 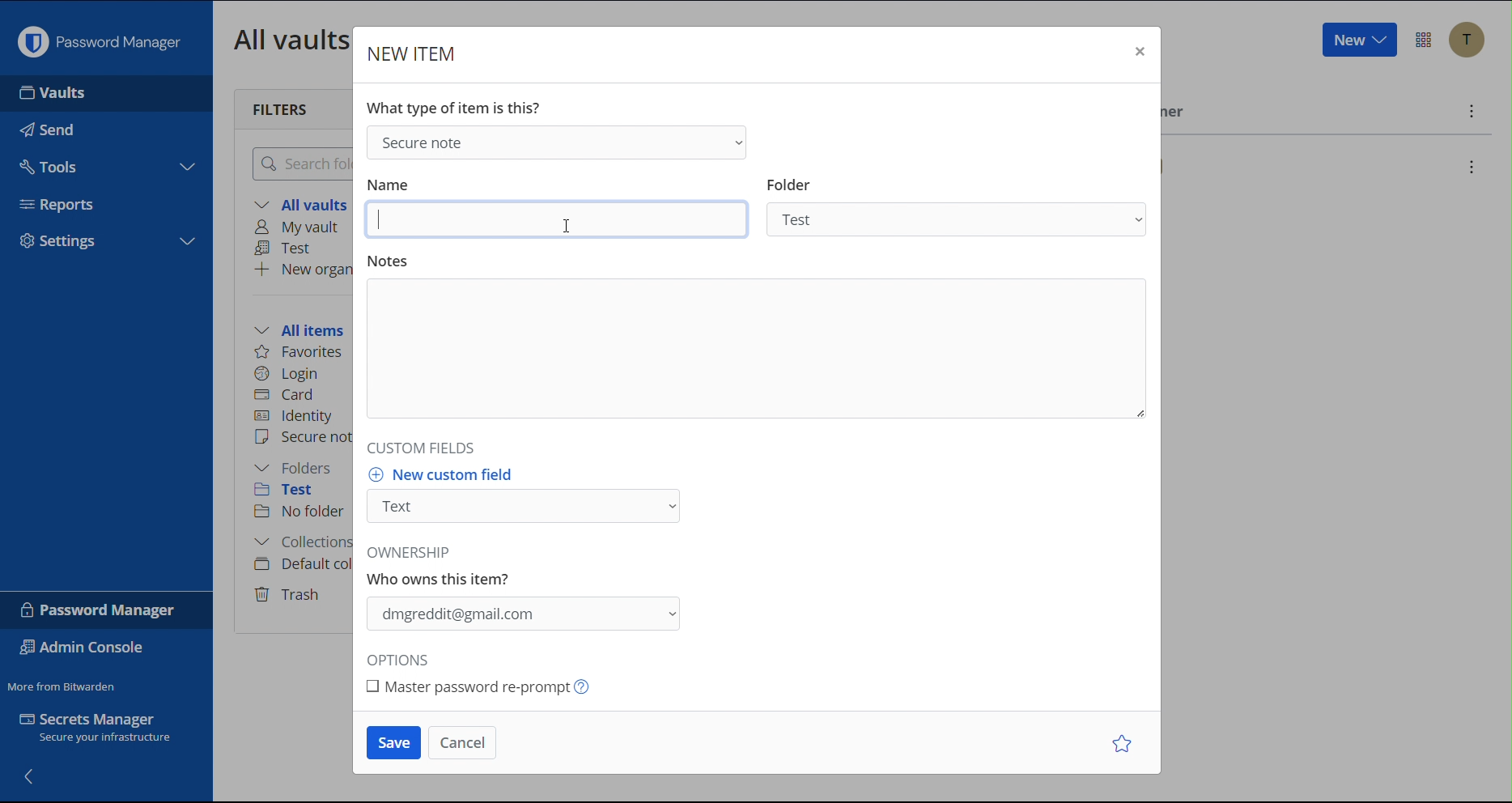 I want to click on New, so click(x=1358, y=40).